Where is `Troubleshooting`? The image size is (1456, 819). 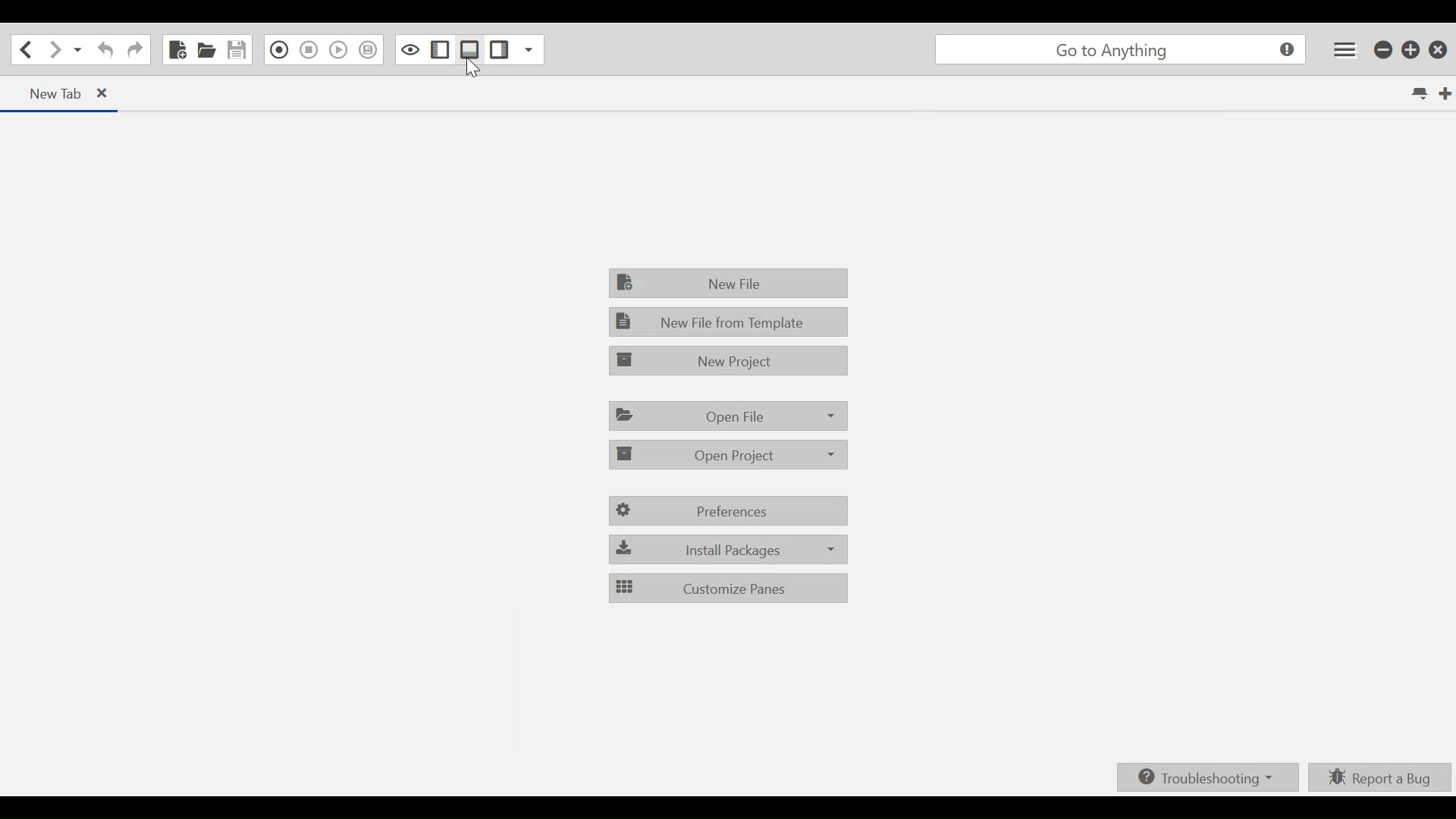 Troubleshooting is located at coordinates (1207, 777).